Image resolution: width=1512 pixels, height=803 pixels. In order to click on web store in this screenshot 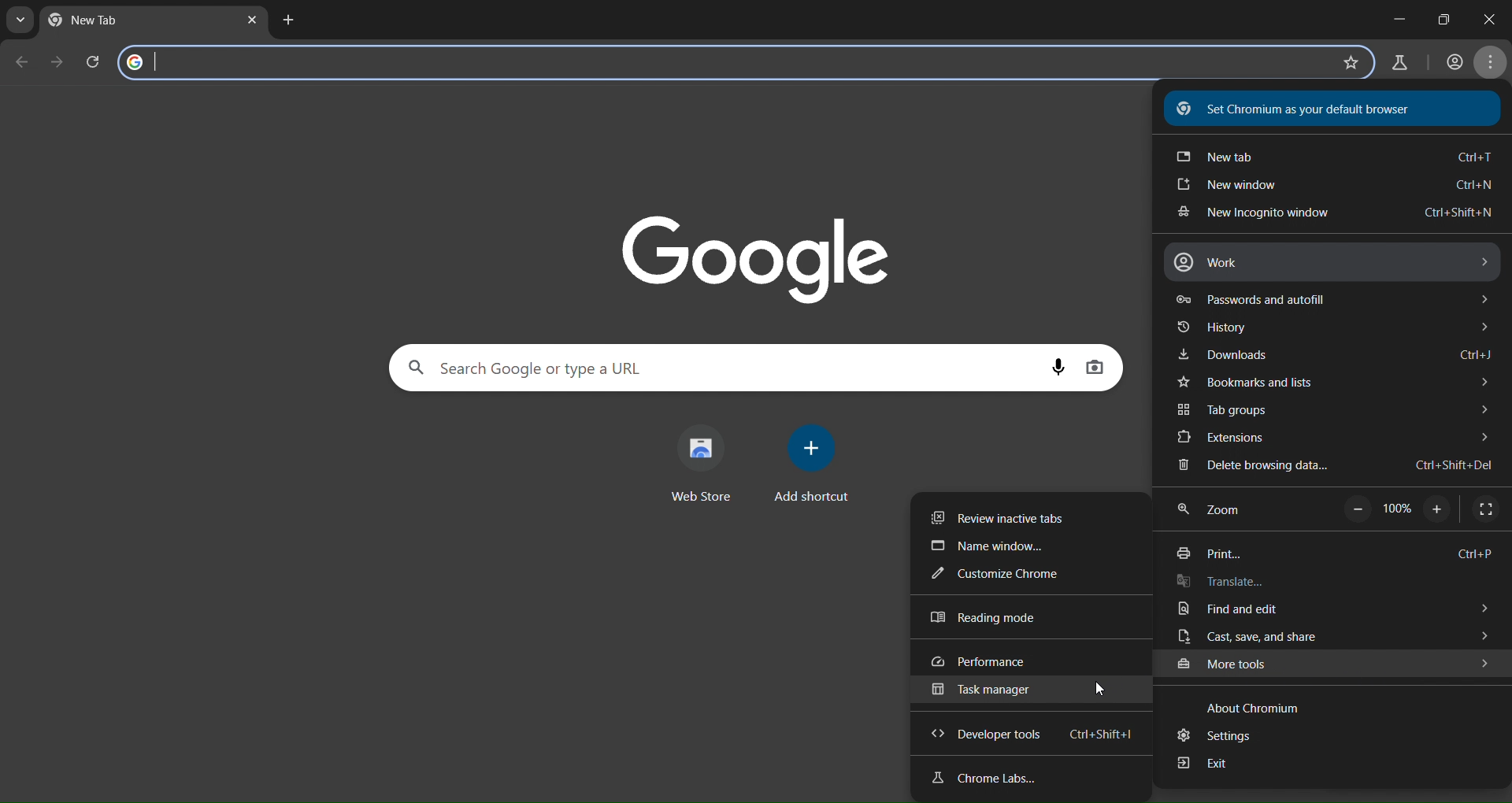, I will do `click(707, 462)`.